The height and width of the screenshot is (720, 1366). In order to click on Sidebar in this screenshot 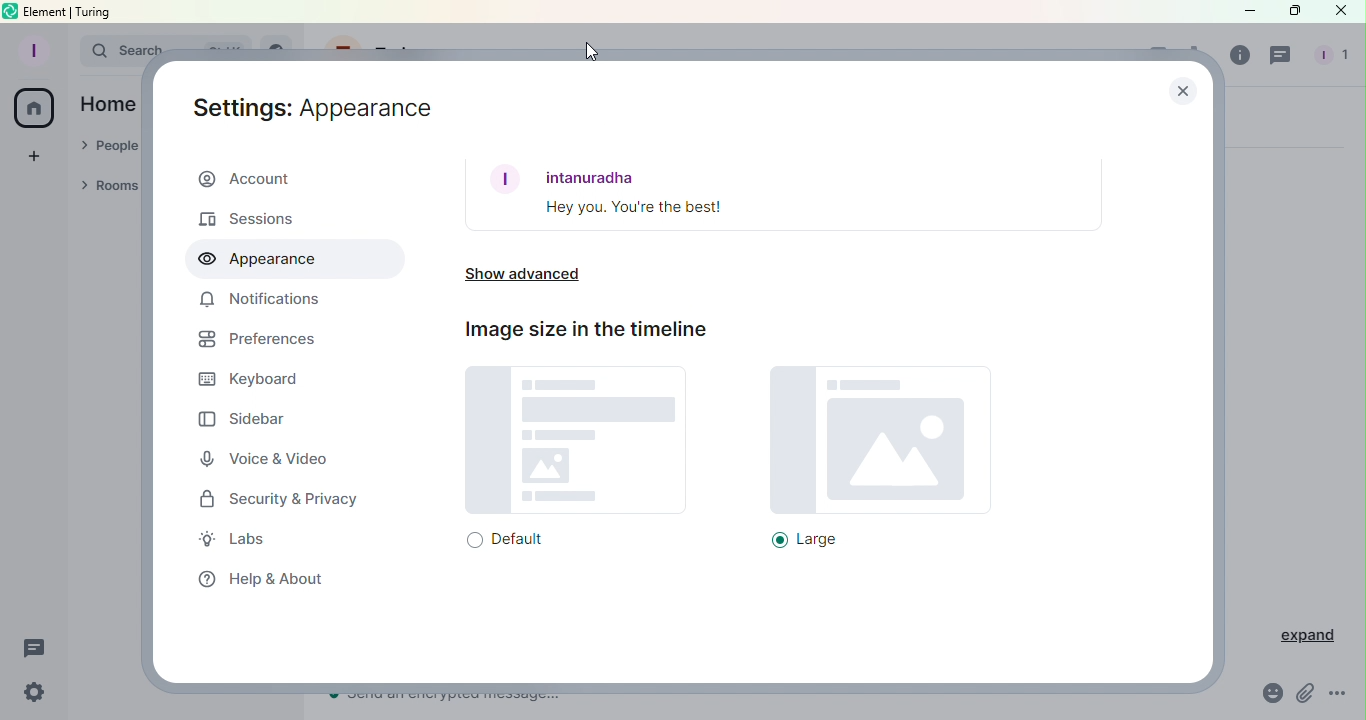, I will do `click(242, 418)`.